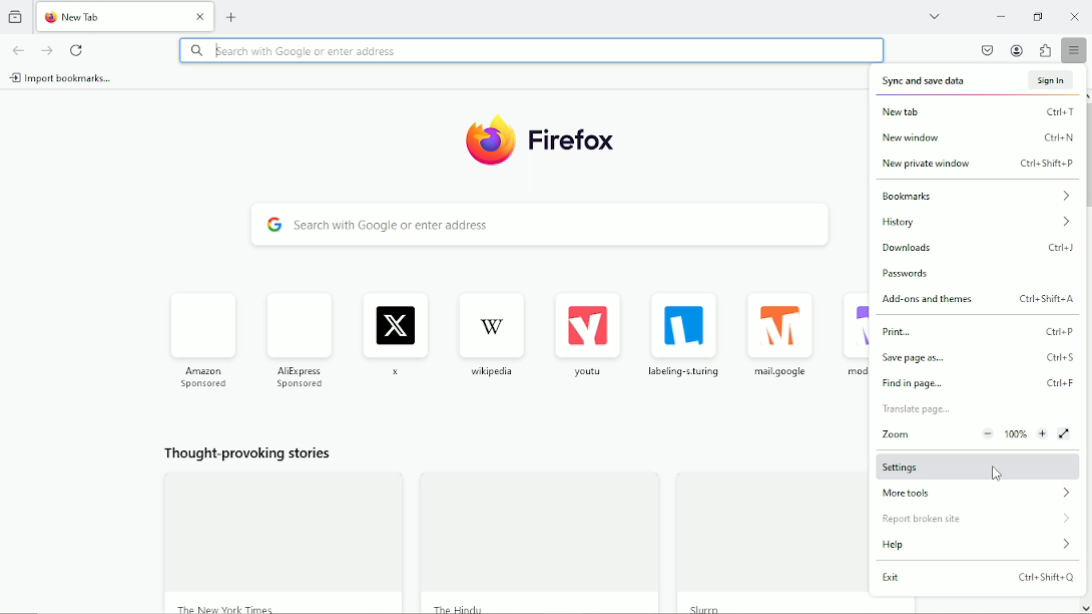  What do you see at coordinates (497, 523) in the screenshot?
I see `thought provoking stories` at bounding box center [497, 523].